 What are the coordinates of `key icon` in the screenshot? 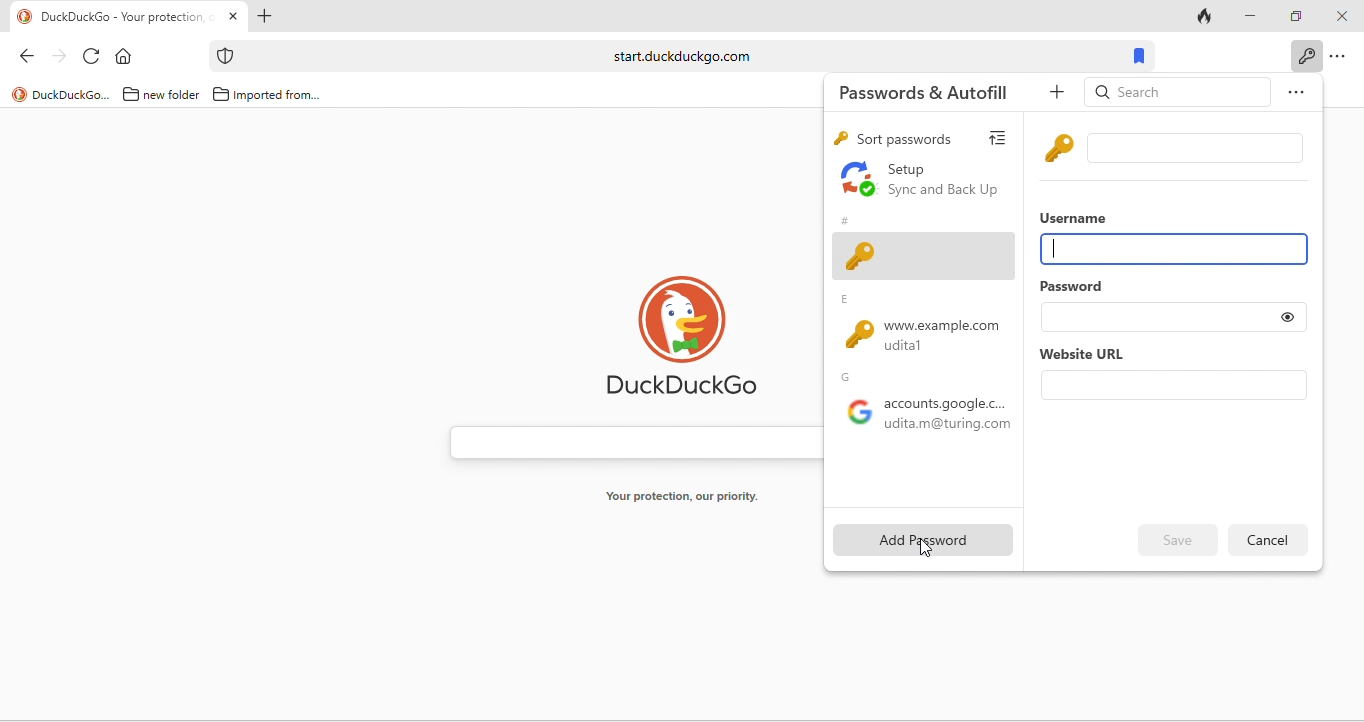 It's located at (1058, 150).